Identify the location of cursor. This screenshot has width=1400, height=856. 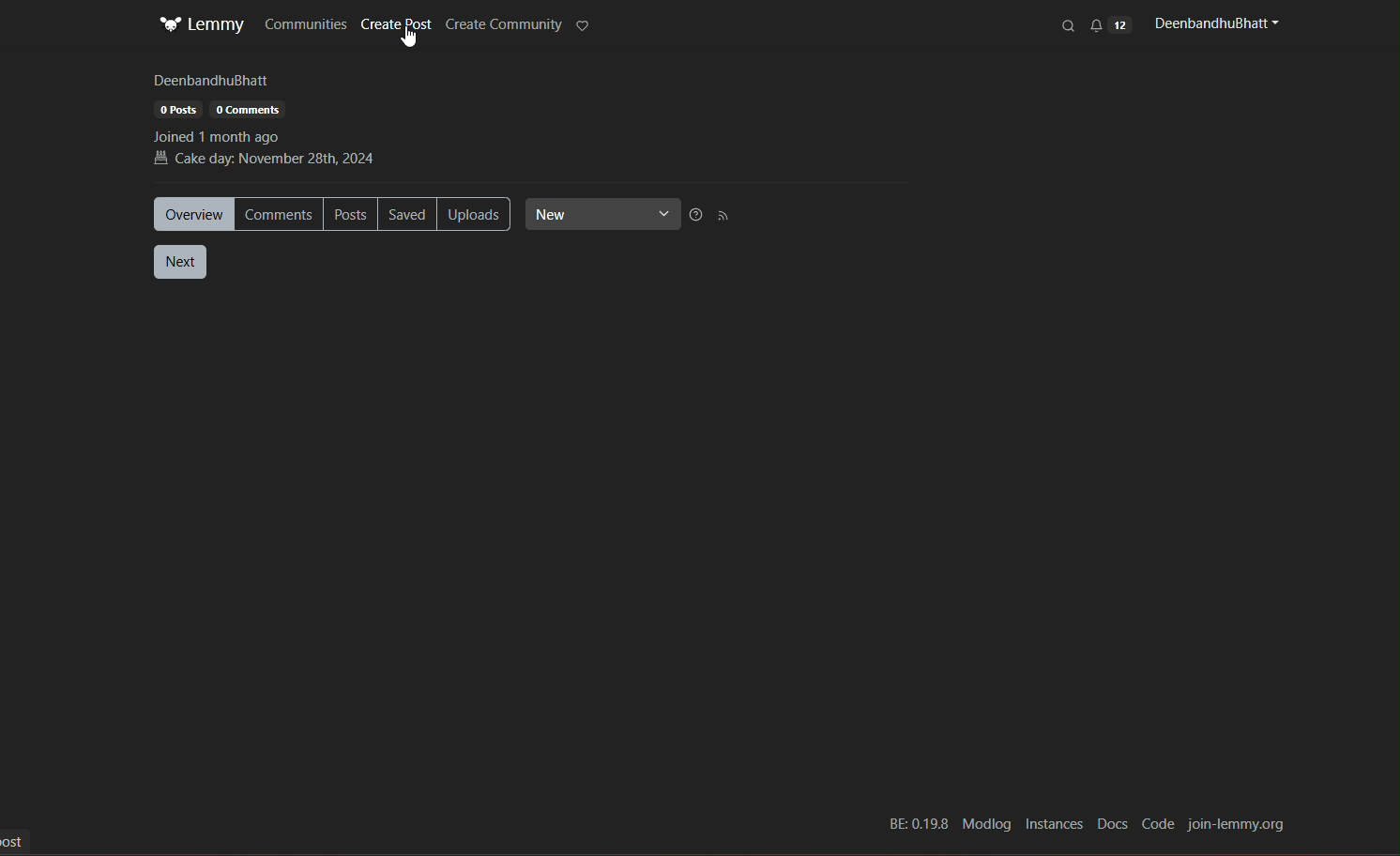
(409, 42).